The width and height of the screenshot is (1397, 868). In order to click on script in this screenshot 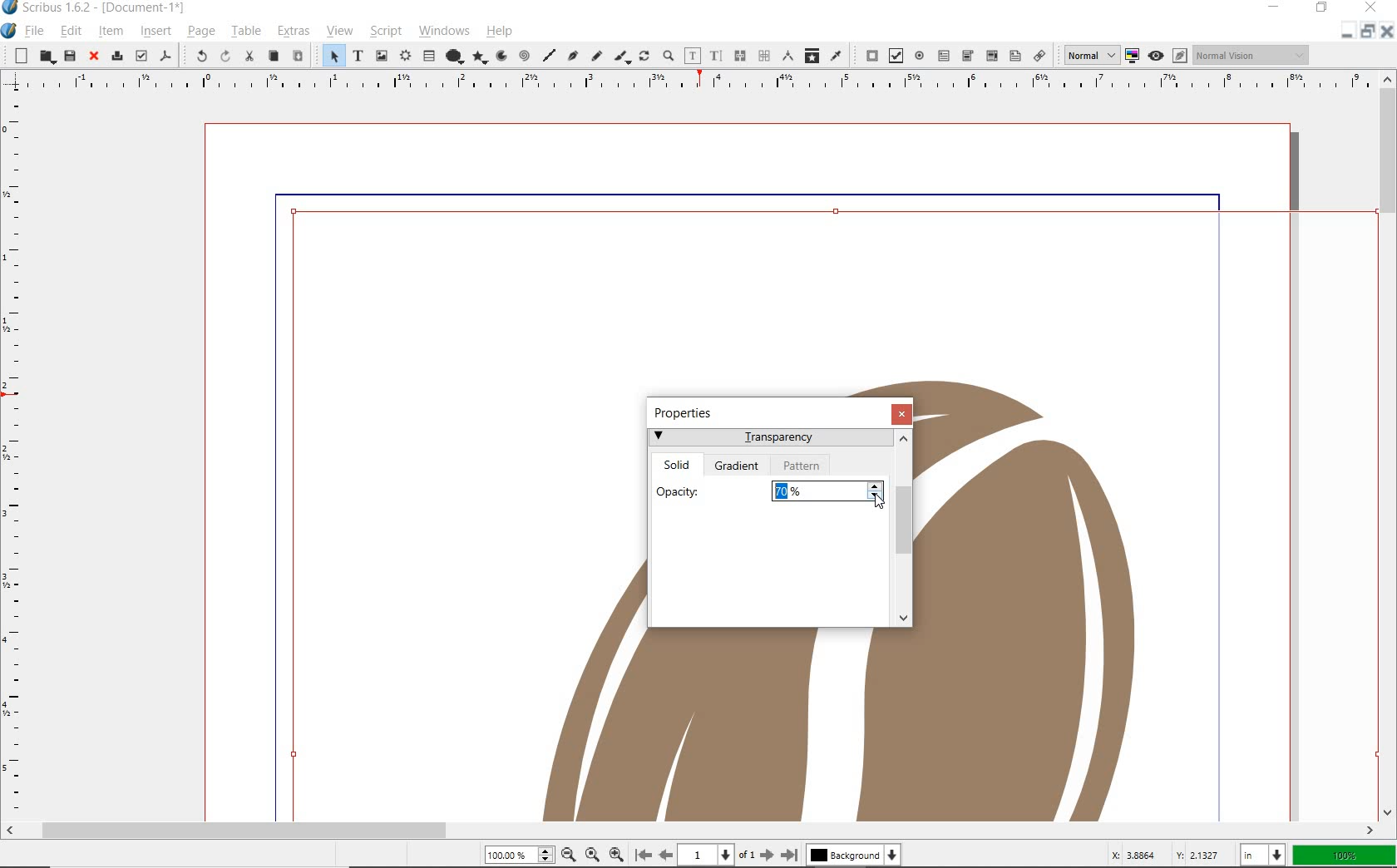, I will do `click(385, 32)`.